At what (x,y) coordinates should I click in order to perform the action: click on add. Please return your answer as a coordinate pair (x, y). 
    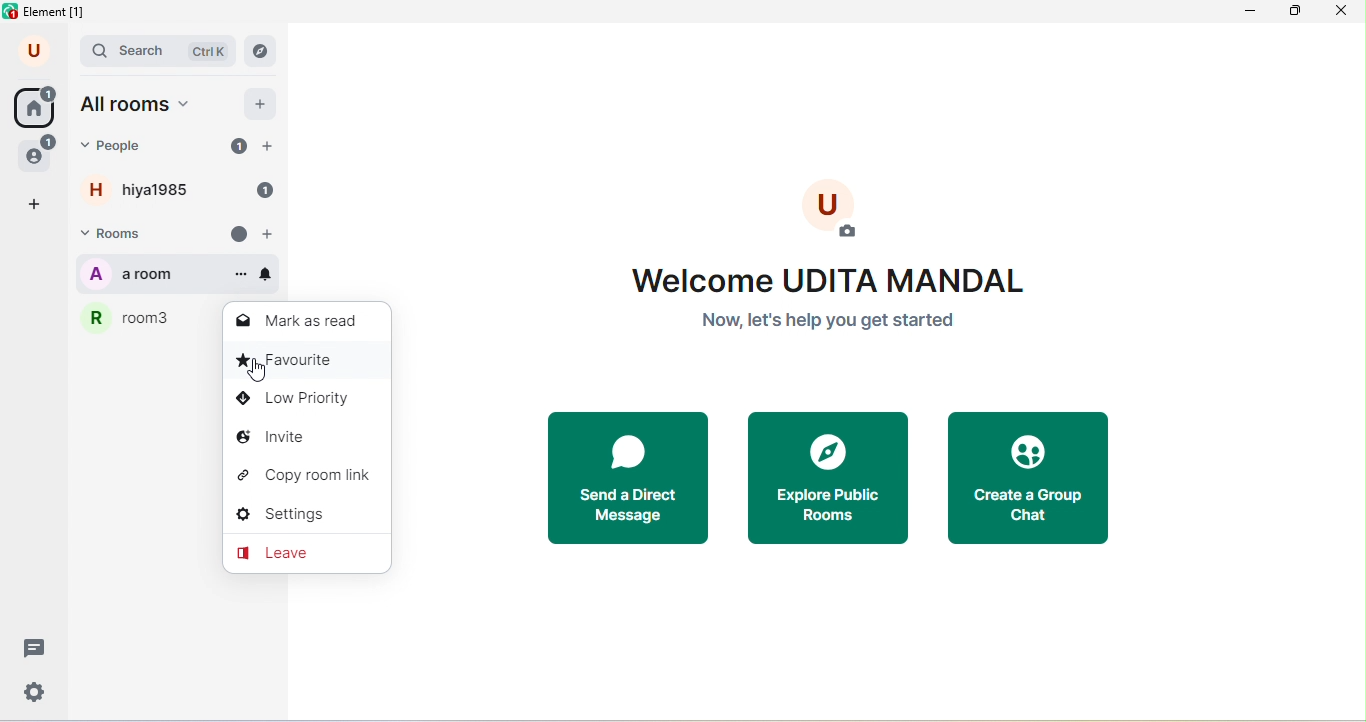
    Looking at the image, I should click on (262, 103).